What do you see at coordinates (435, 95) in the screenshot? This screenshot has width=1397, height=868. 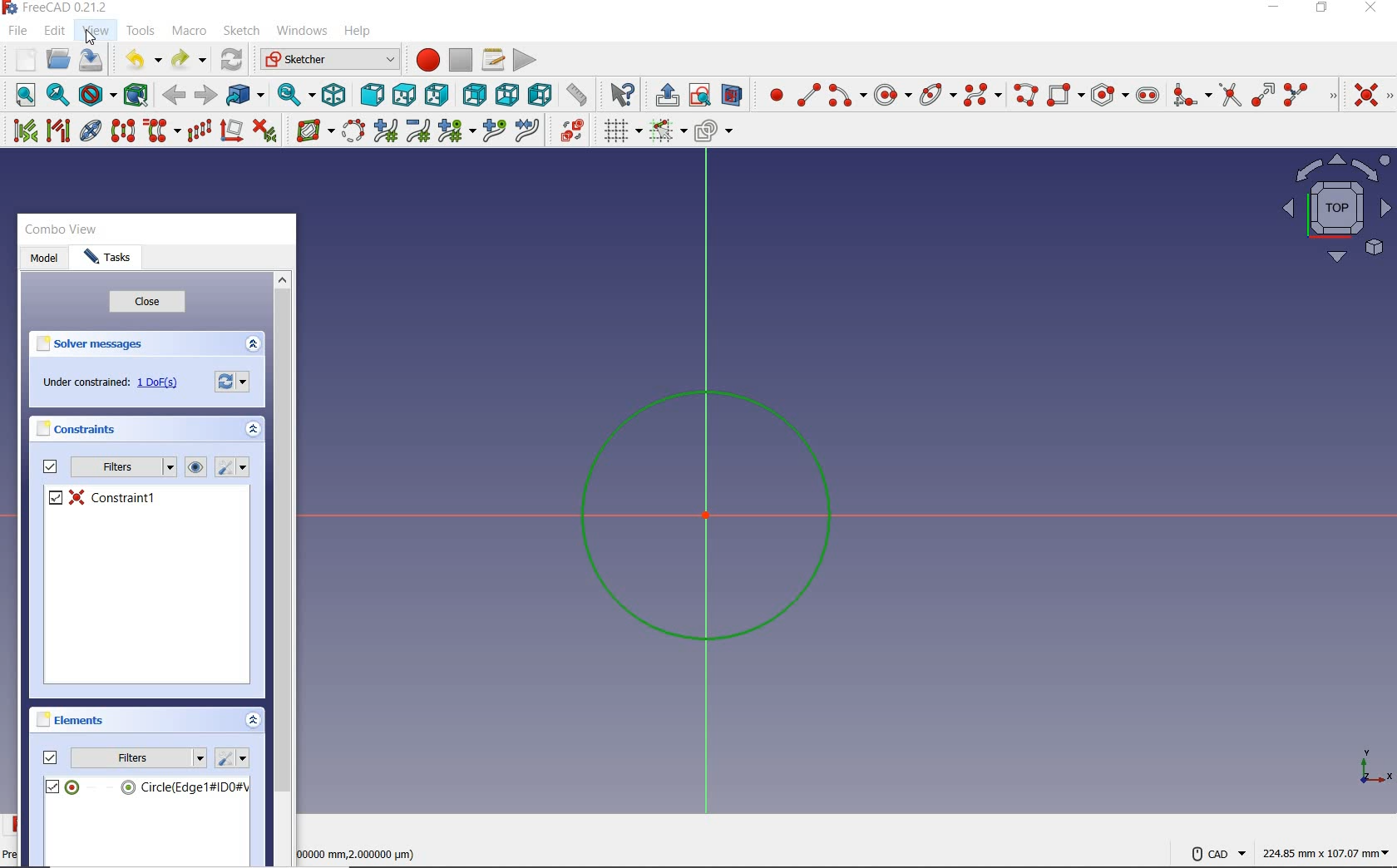 I see `right` at bounding box center [435, 95].